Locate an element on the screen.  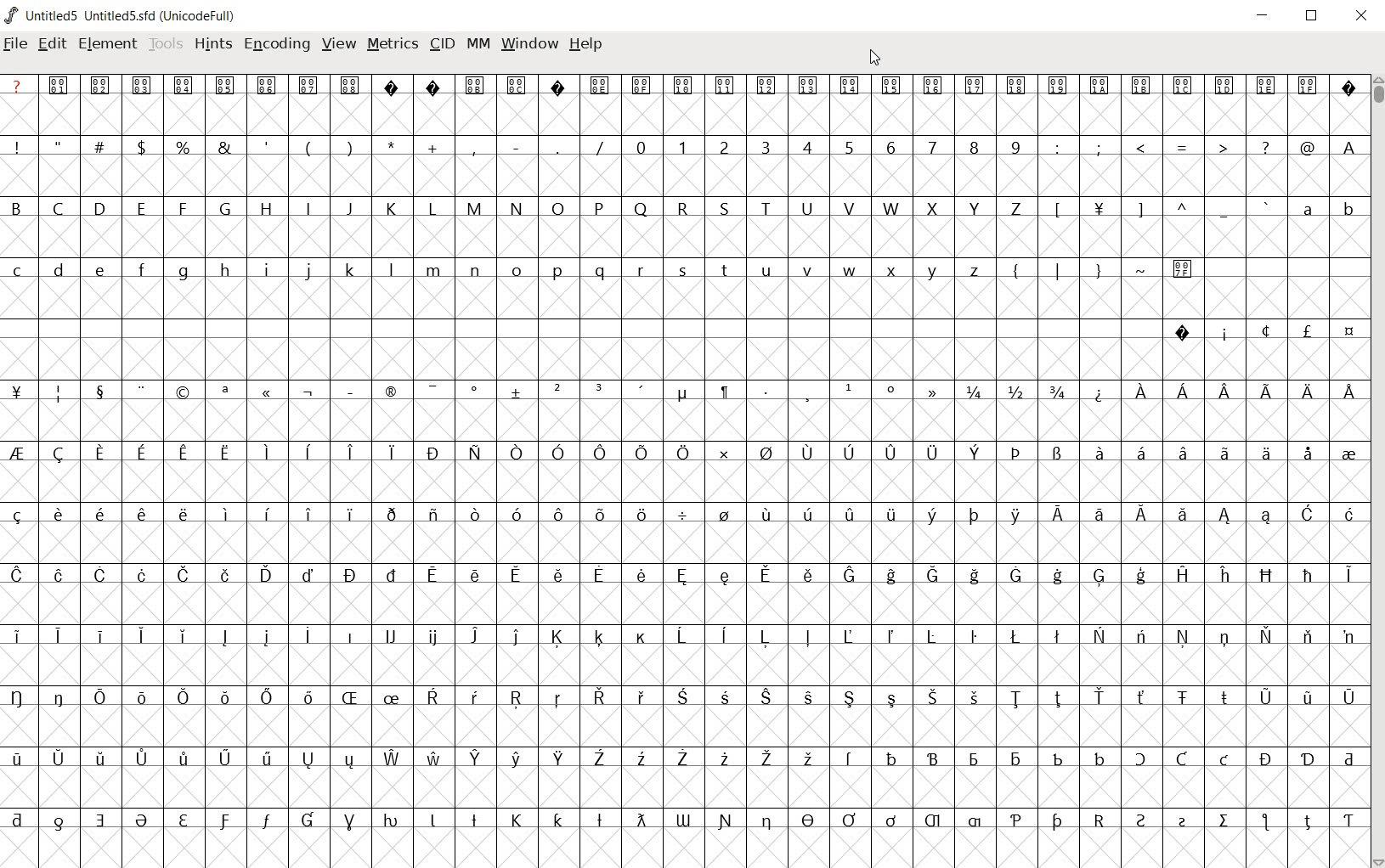
Symbol is located at coordinates (140, 391).